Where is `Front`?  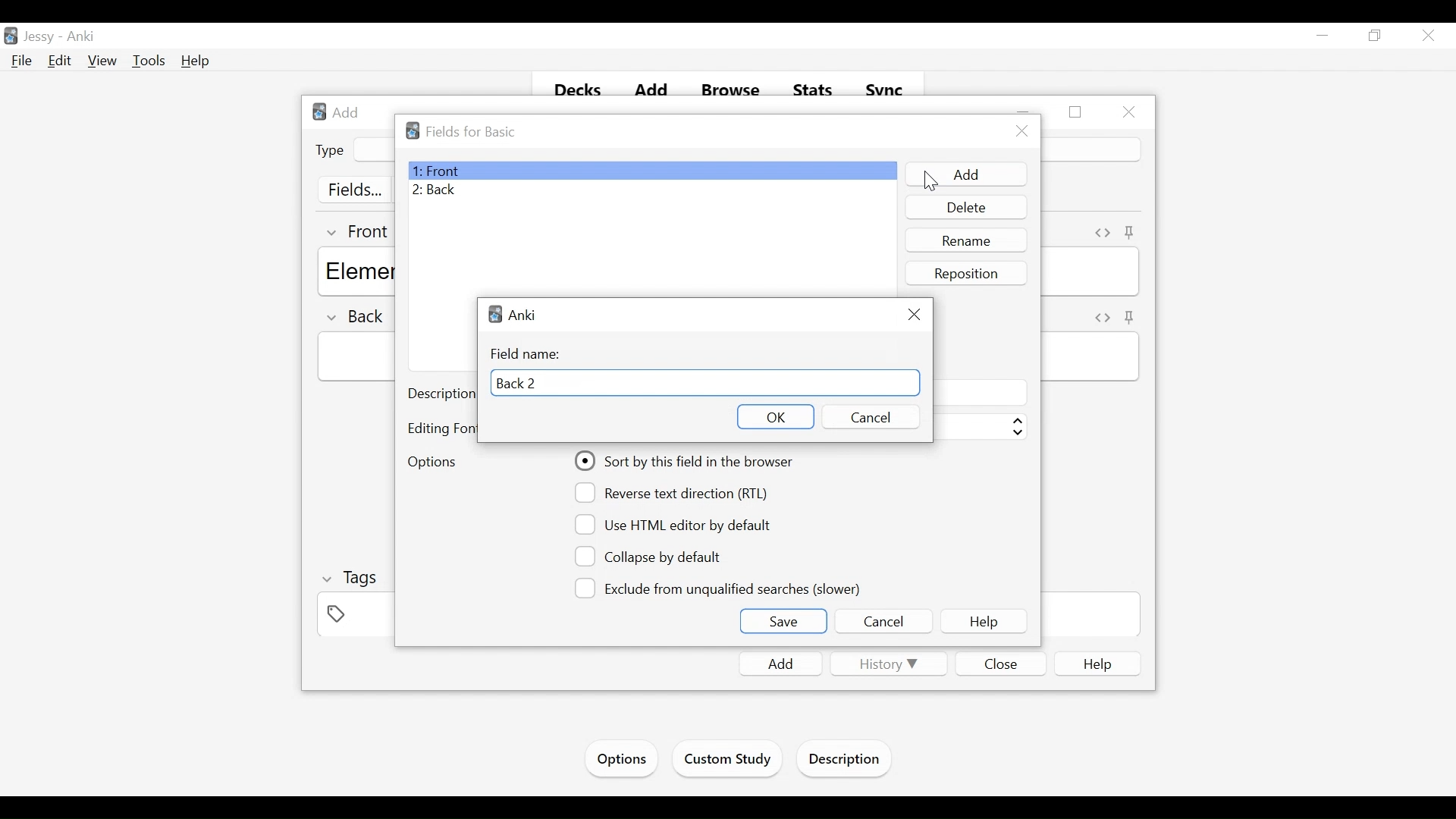
Front is located at coordinates (651, 171).